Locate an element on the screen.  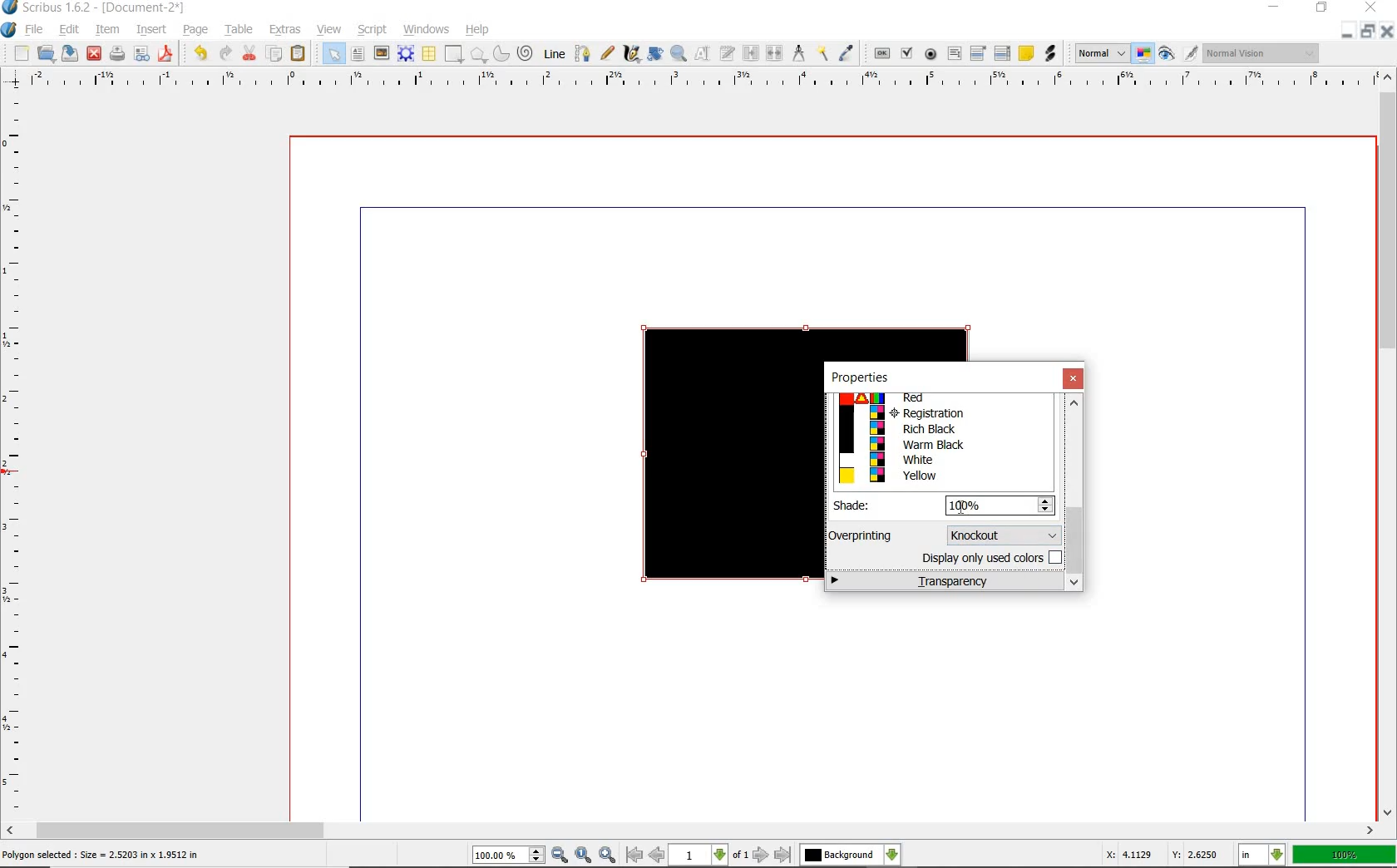
table is located at coordinates (239, 31).